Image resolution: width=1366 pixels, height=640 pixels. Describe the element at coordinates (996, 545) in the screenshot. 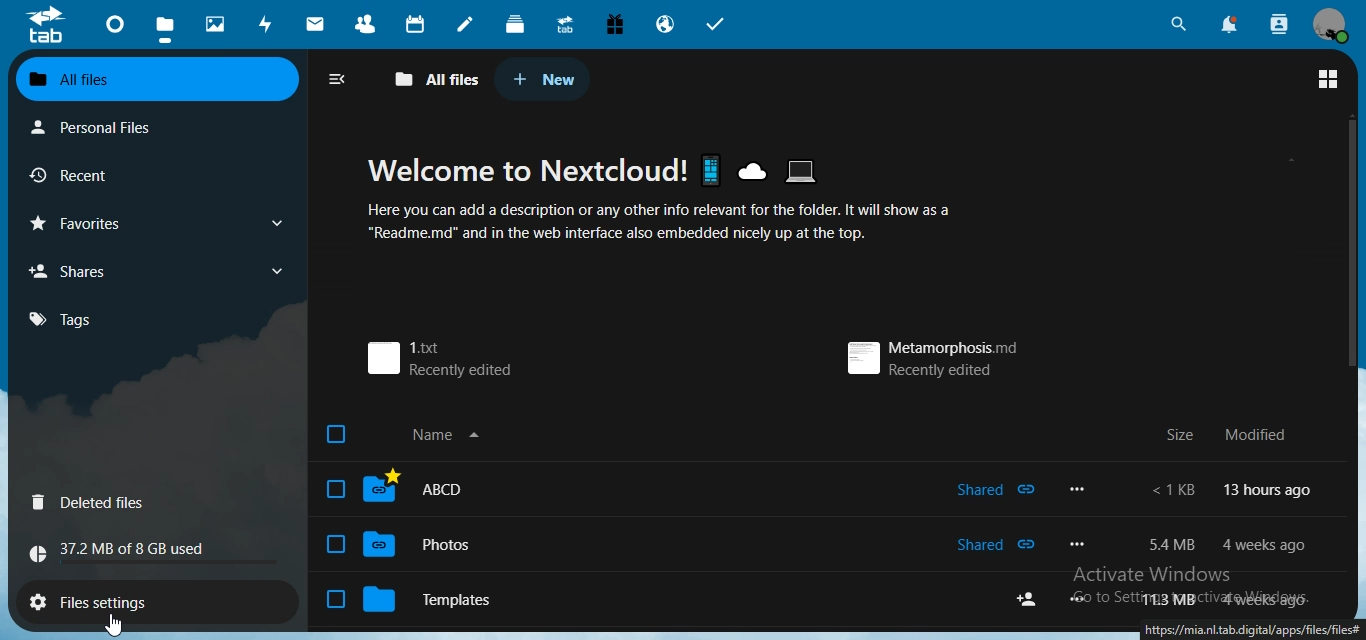

I see `shared` at that location.